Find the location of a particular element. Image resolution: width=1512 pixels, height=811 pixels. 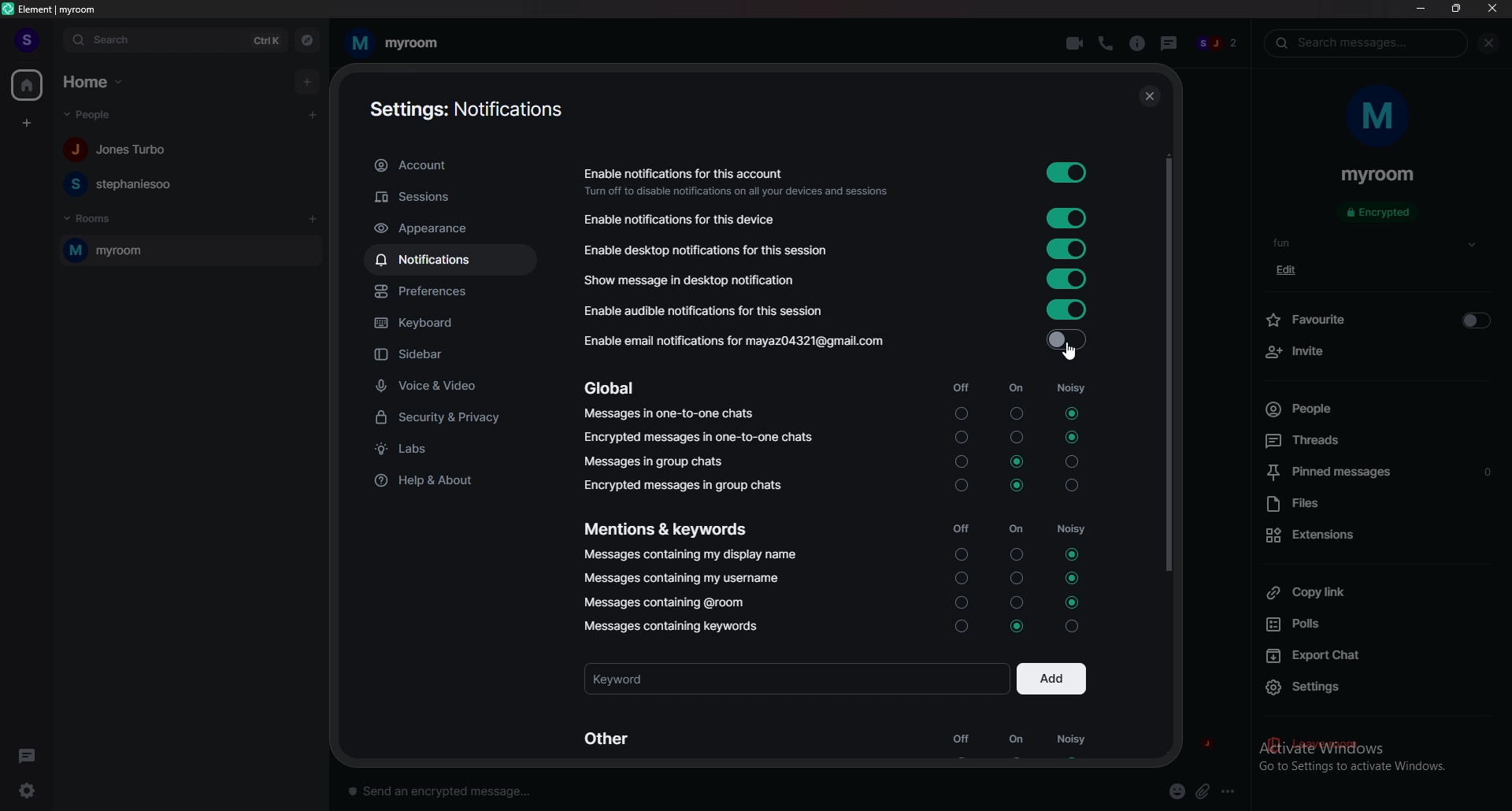

profile is located at coordinates (28, 40).